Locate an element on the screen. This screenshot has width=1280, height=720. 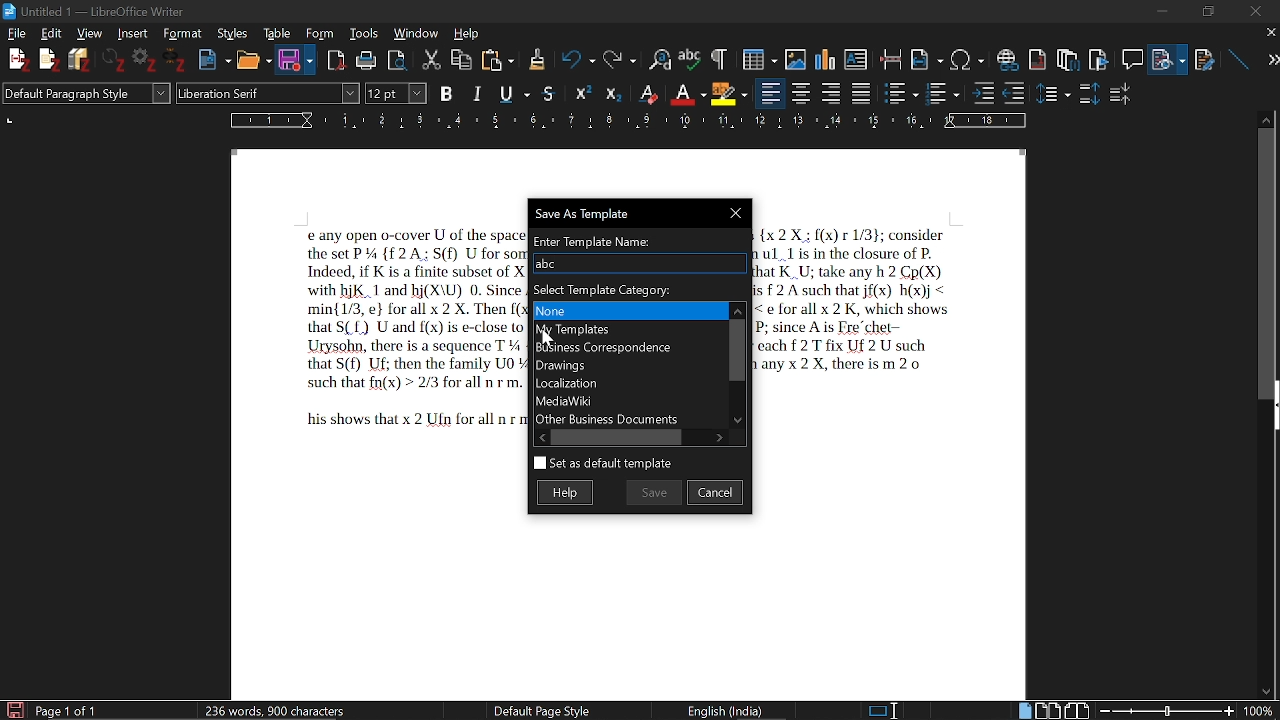
236 words, 900 characters is located at coordinates (276, 707).